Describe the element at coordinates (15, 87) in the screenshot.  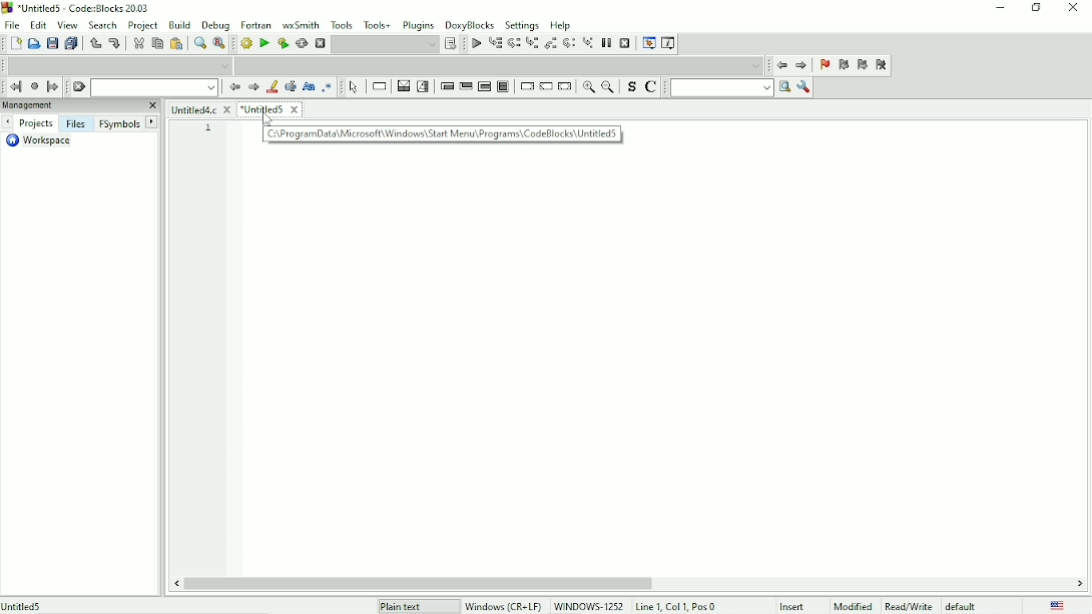
I see `Jump back` at that location.